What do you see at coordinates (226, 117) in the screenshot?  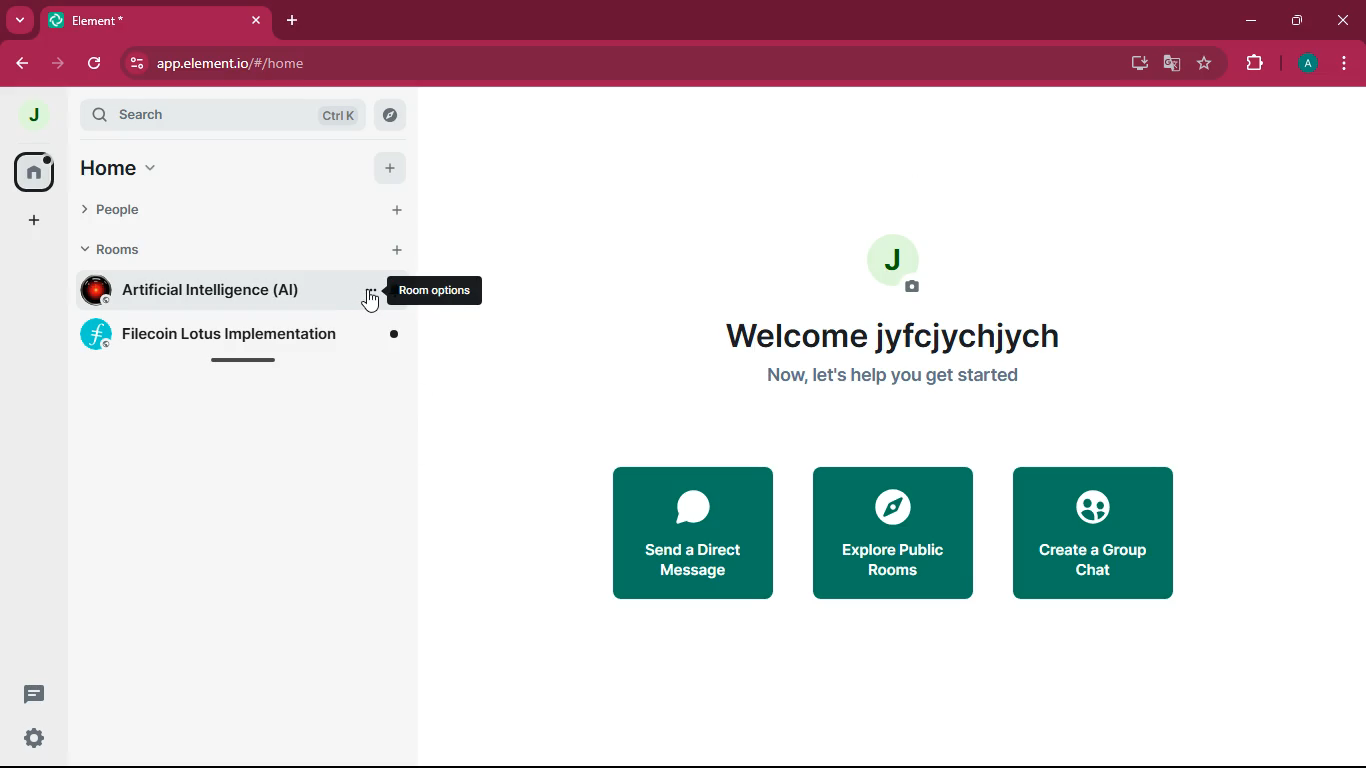 I see `search` at bounding box center [226, 117].